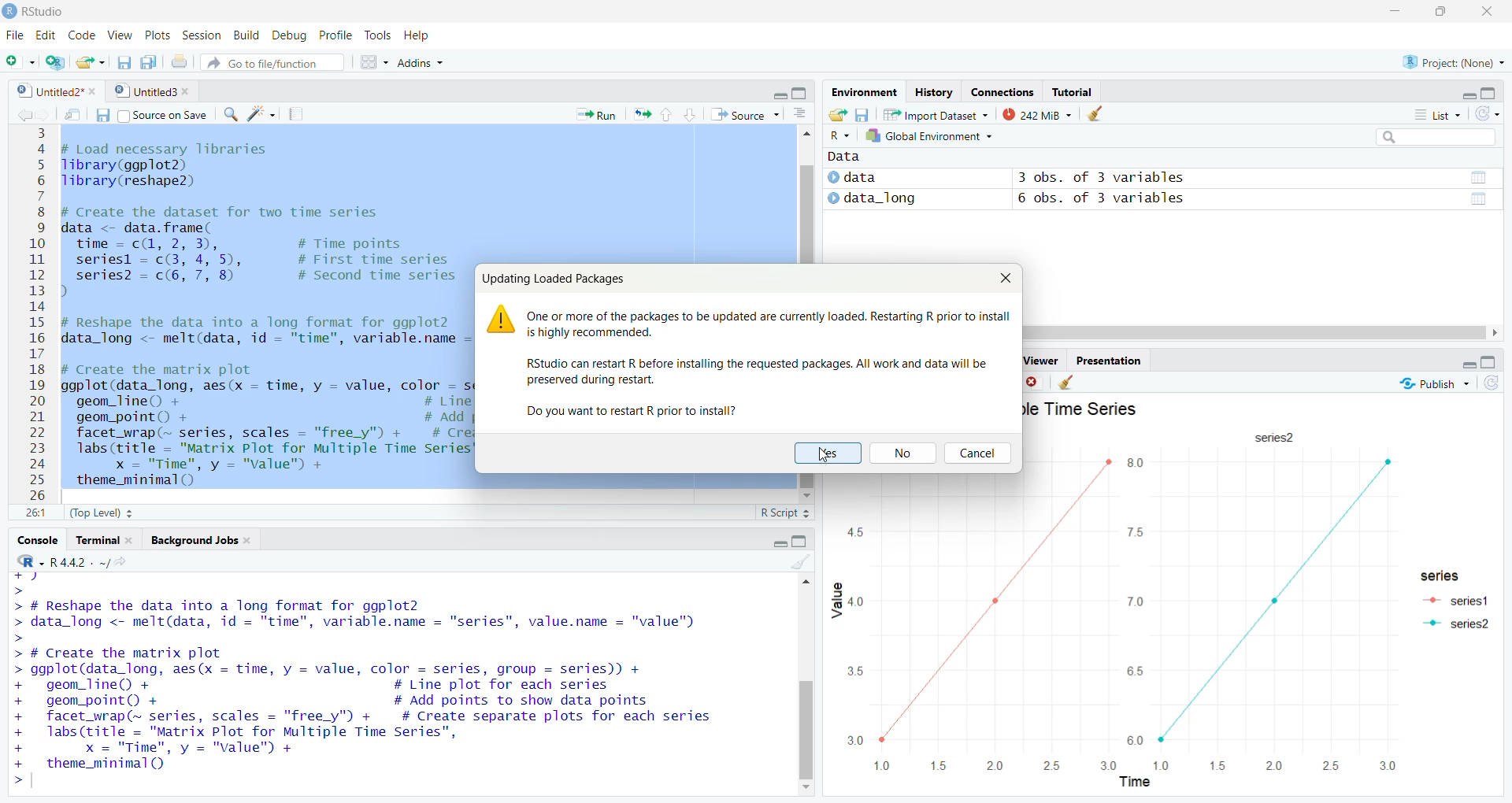 The height and width of the screenshot is (803, 1512). Describe the element at coordinates (1486, 12) in the screenshot. I see `Close` at that location.